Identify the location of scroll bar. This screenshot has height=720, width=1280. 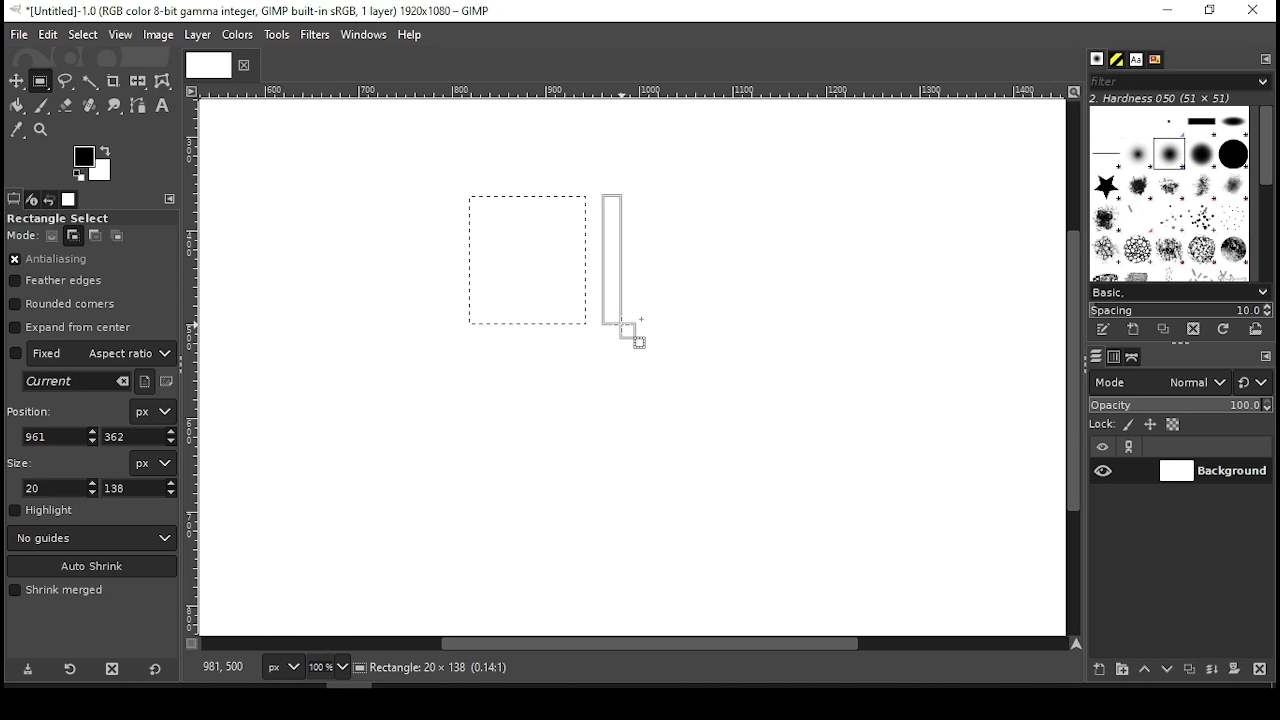
(1265, 192).